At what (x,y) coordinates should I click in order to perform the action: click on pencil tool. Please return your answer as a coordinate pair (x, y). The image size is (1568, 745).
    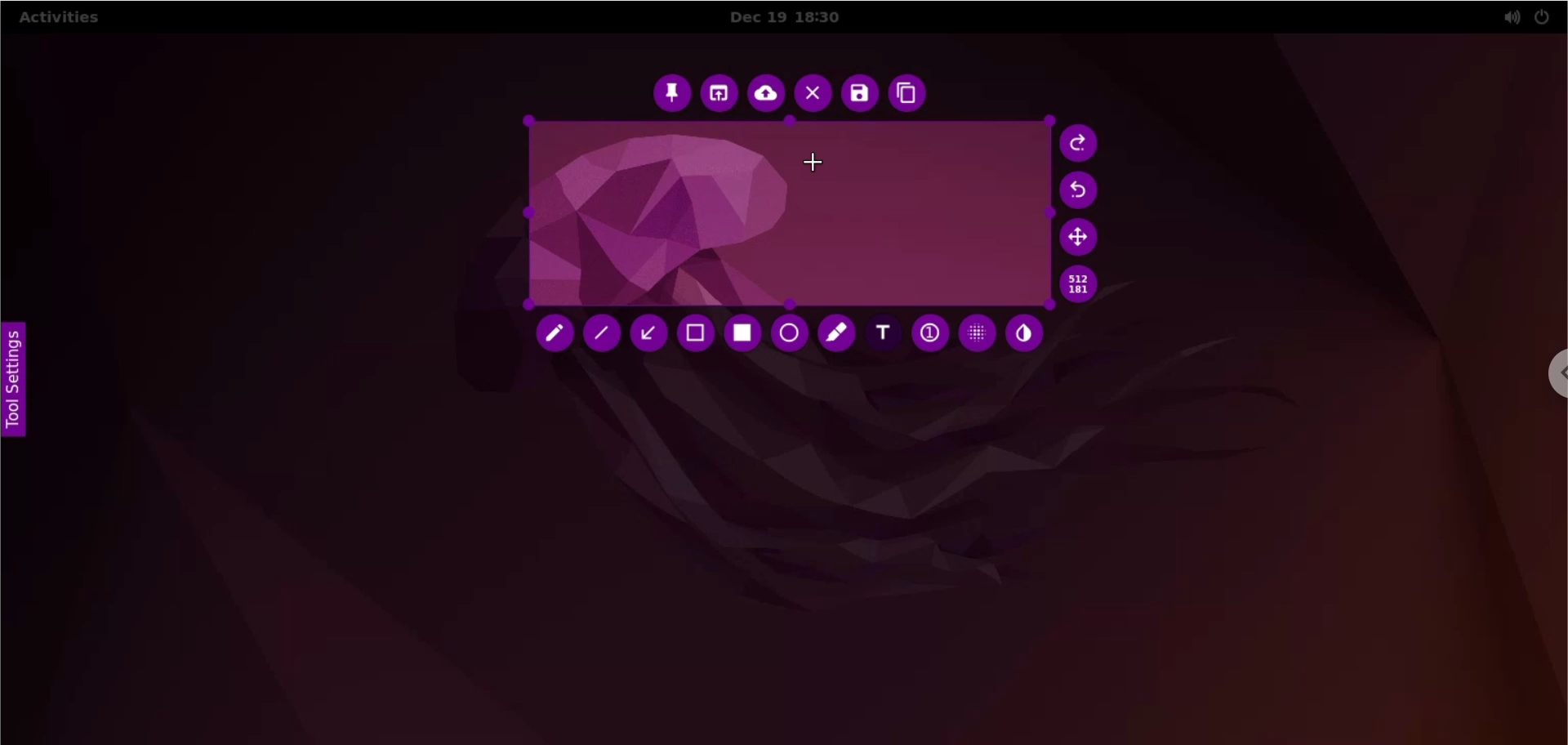
    Looking at the image, I should click on (555, 336).